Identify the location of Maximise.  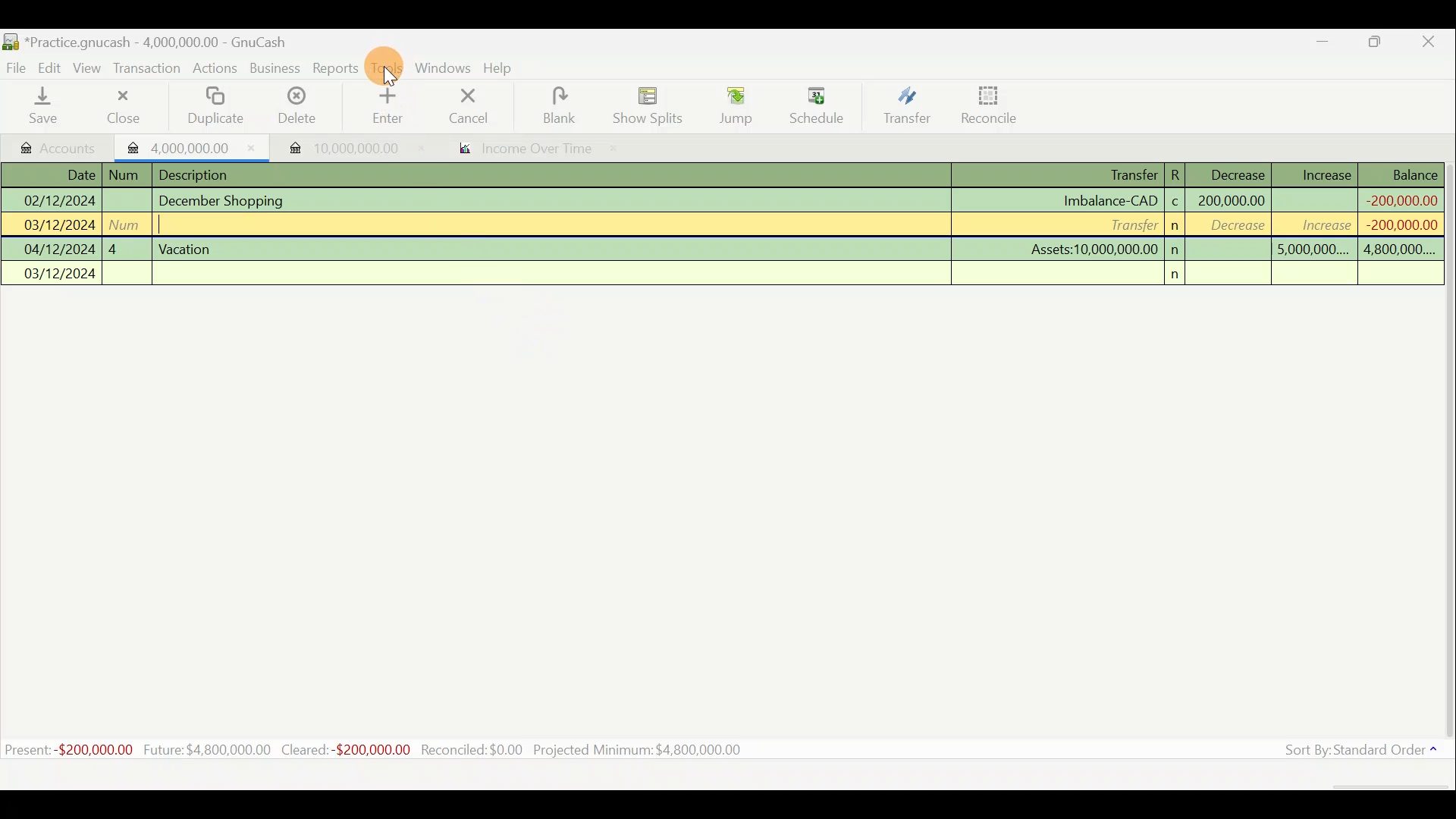
(1384, 44).